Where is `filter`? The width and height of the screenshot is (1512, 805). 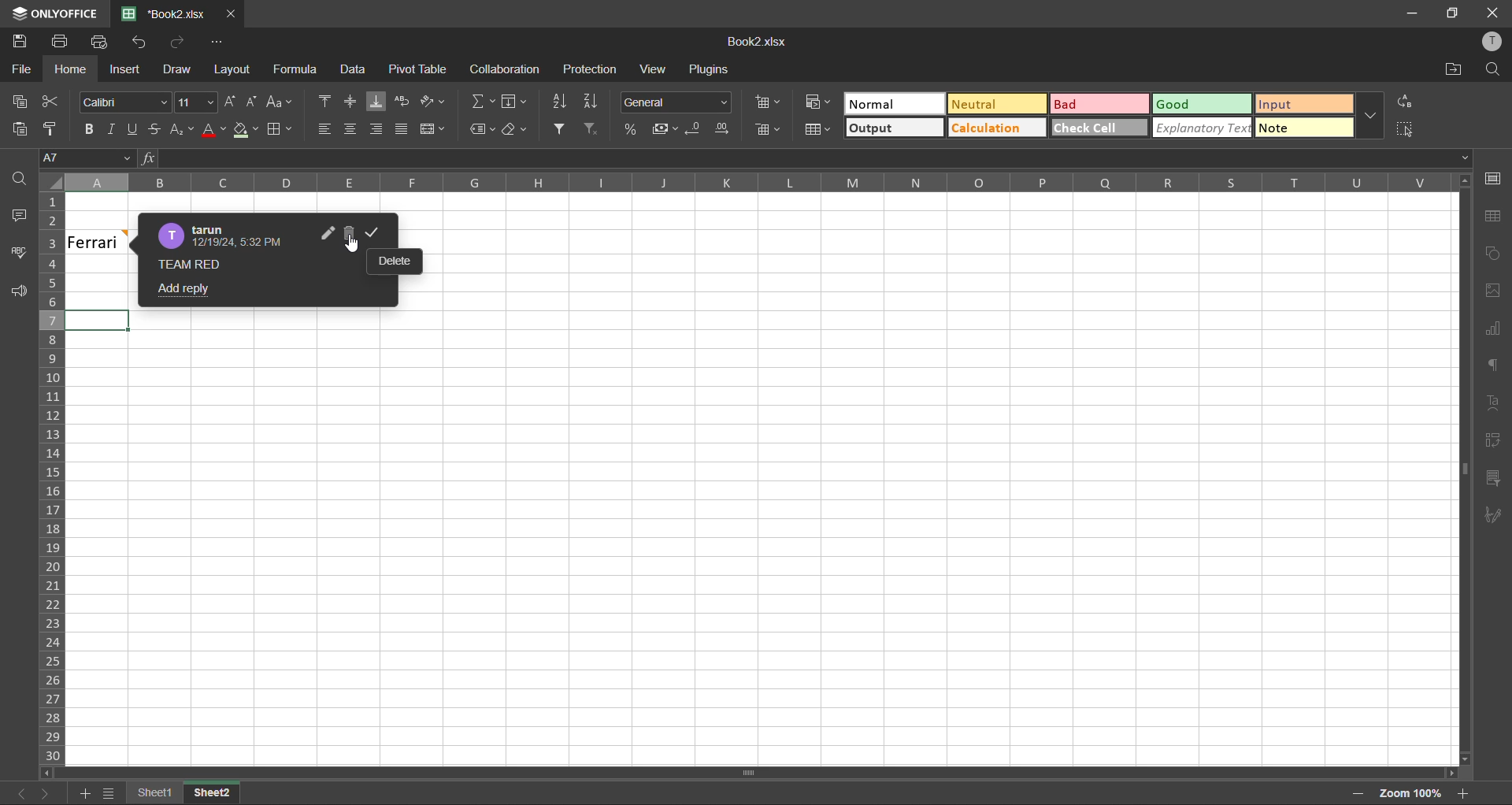 filter is located at coordinates (561, 130).